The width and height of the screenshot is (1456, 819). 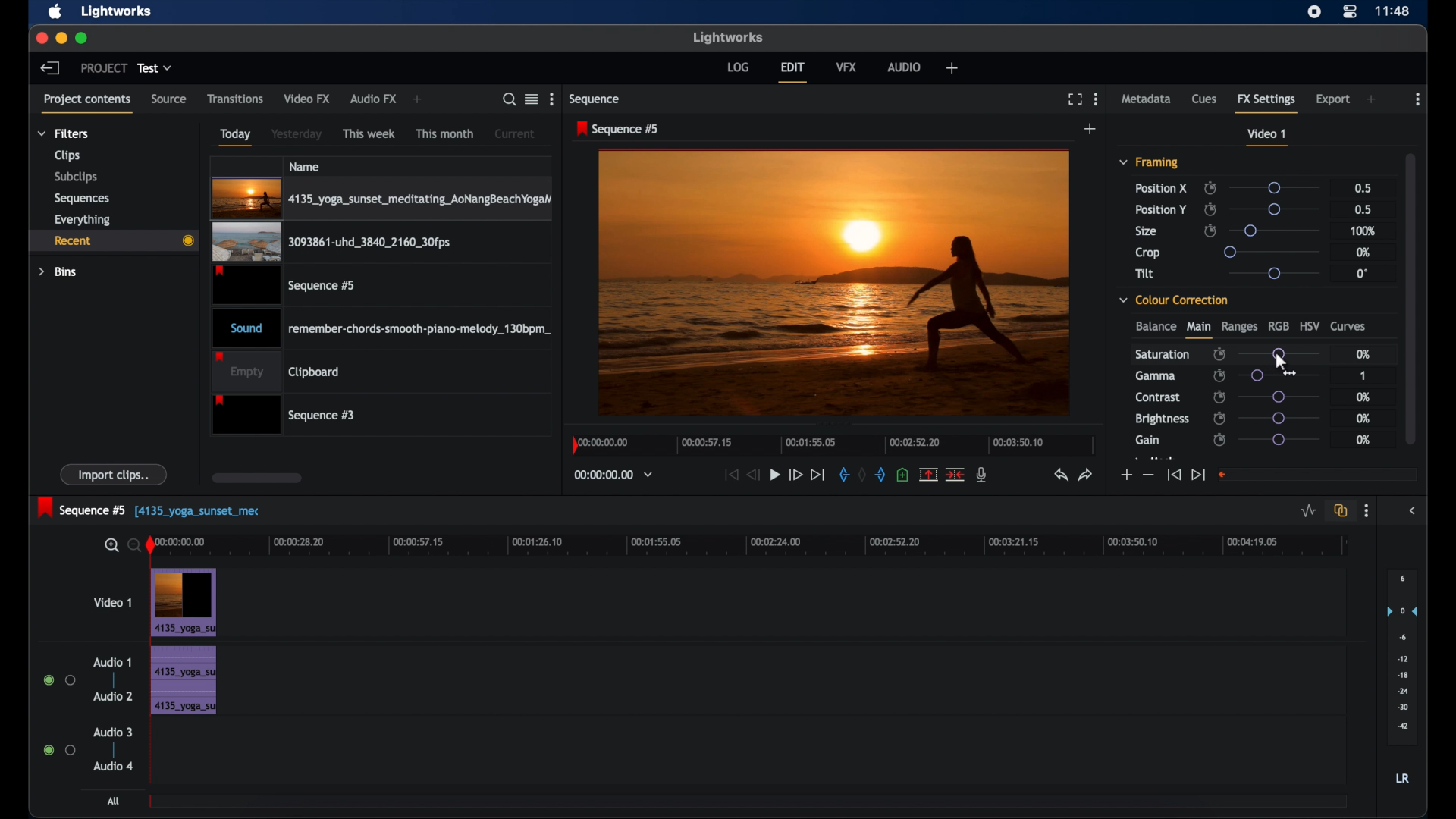 I want to click on brightness, so click(x=1163, y=419).